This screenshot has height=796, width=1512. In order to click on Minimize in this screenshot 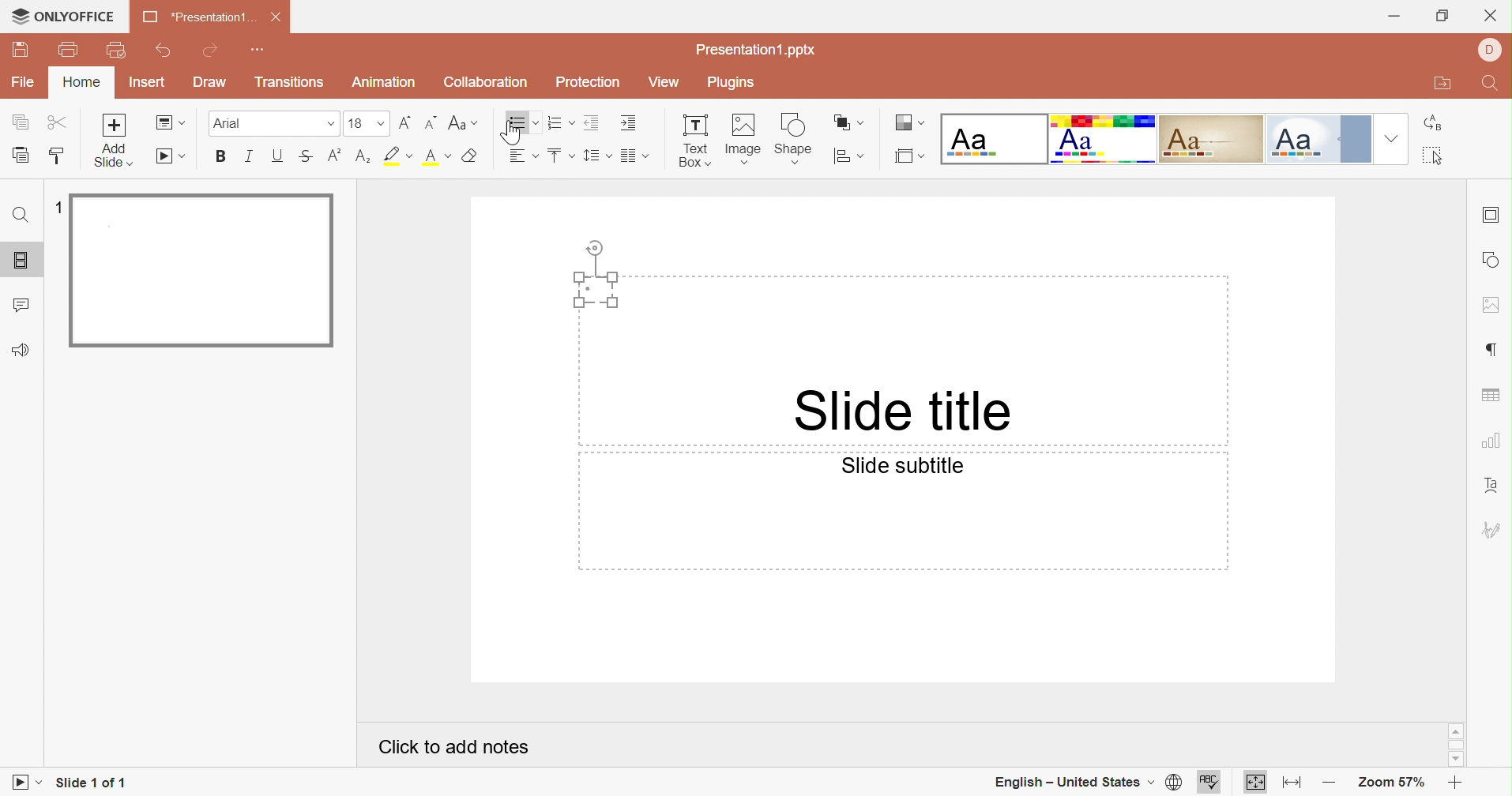, I will do `click(1399, 13)`.